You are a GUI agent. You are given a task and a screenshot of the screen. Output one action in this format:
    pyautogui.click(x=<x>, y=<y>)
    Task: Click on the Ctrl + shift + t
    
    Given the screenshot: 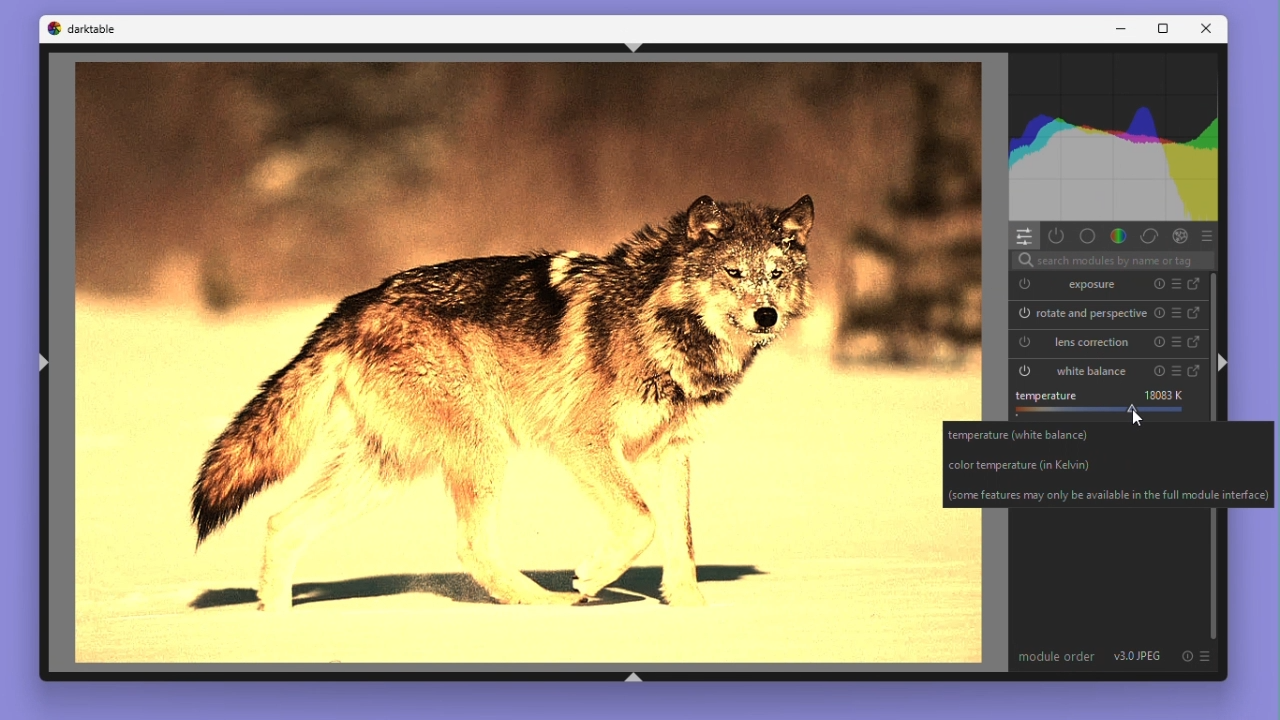 What is the action you would take?
    pyautogui.click(x=630, y=44)
    